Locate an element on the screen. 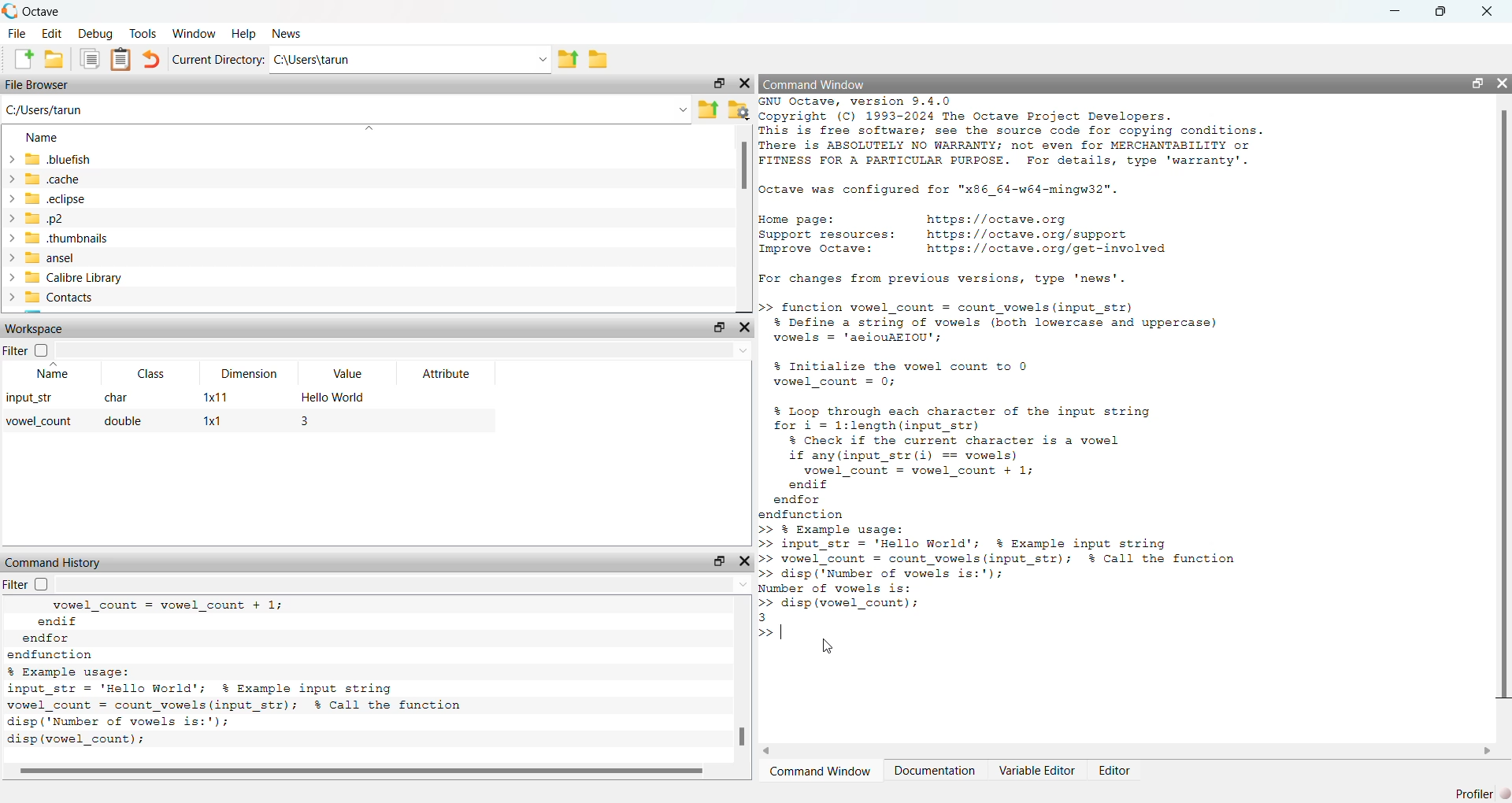  vertical scroll bar is located at coordinates (744, 679).